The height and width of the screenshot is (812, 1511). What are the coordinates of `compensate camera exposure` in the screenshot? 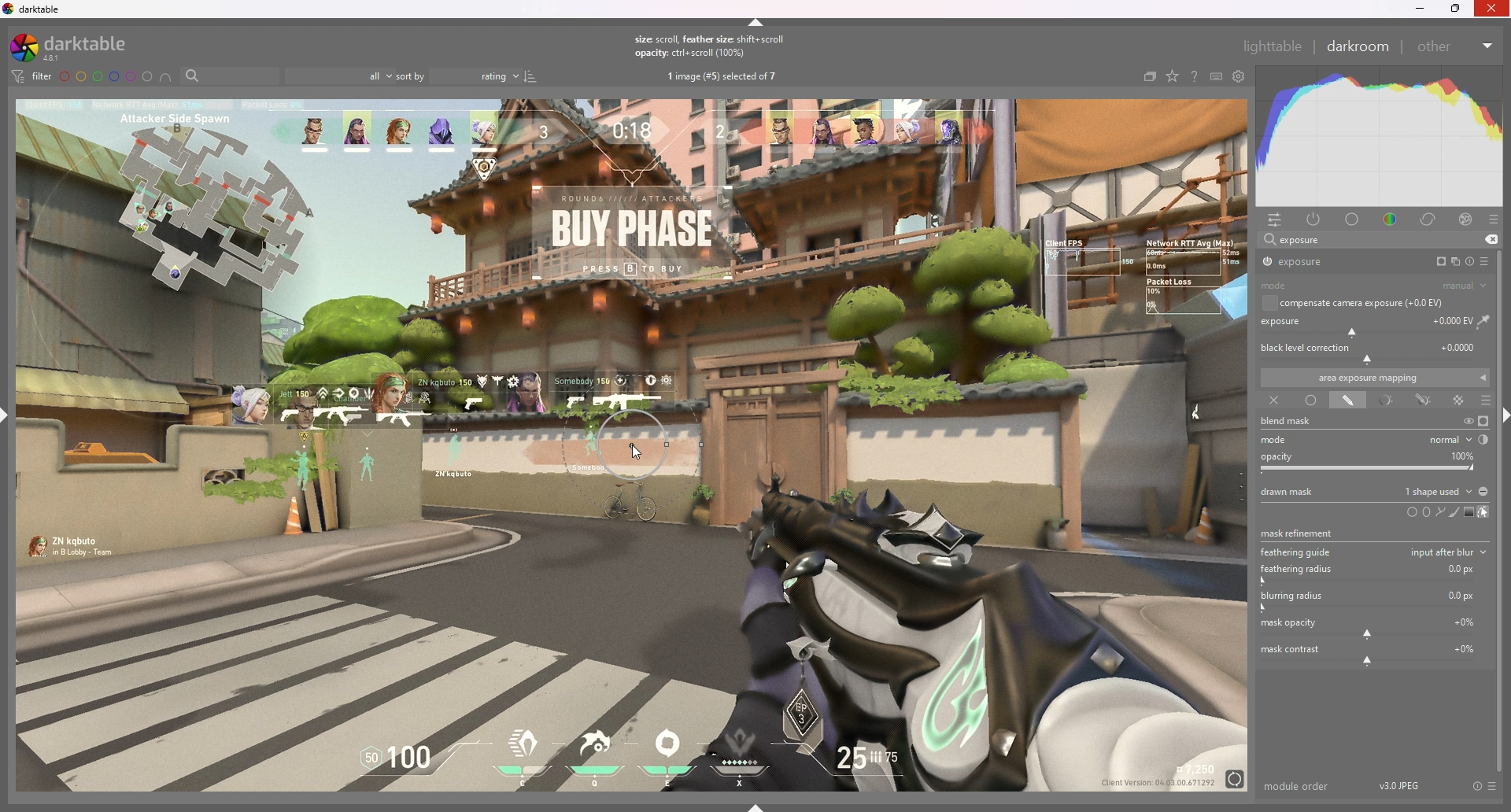 It's located at (1361, 303).